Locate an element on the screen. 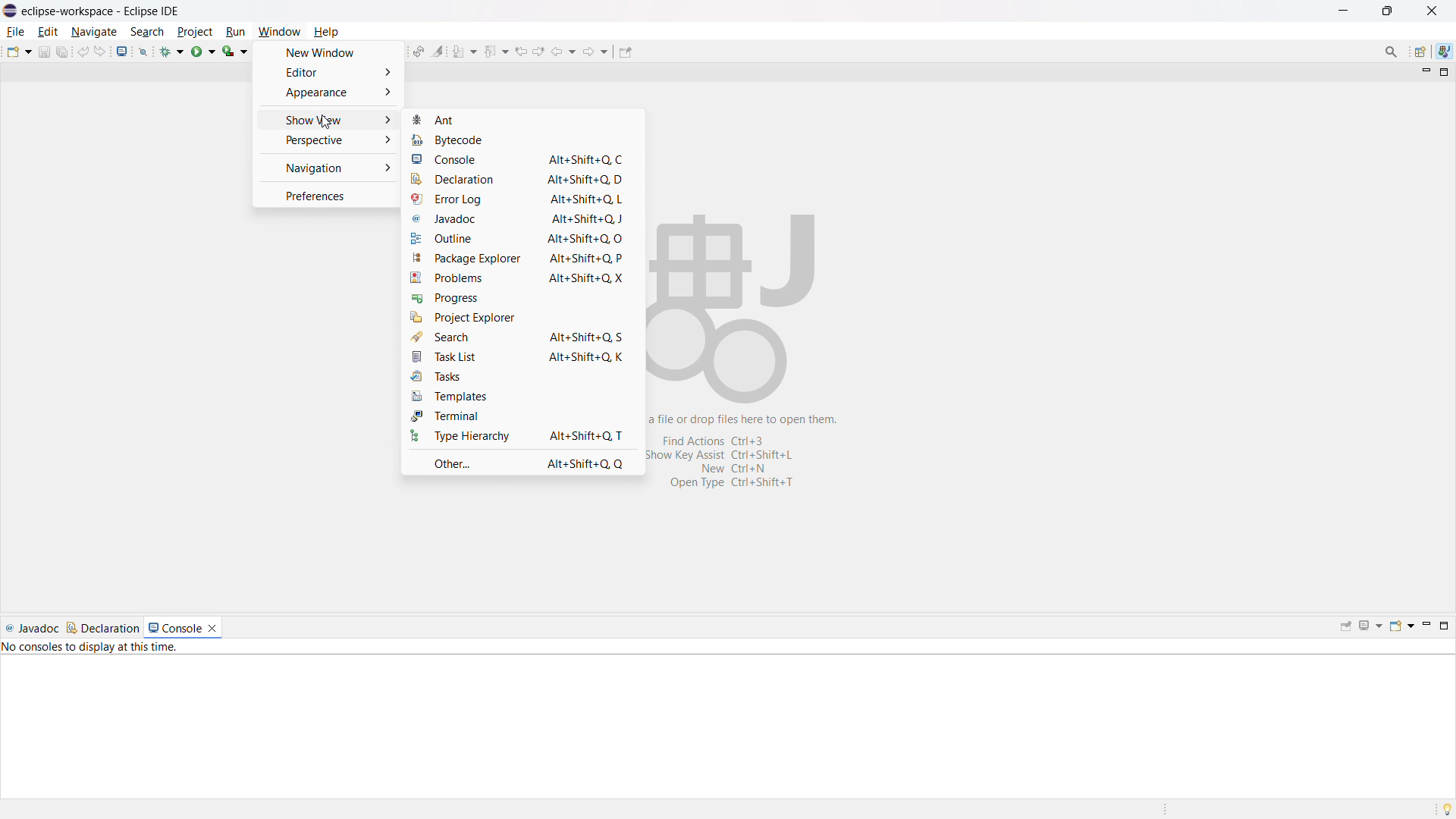  type hierarchy is located at coordinates (522, 436).